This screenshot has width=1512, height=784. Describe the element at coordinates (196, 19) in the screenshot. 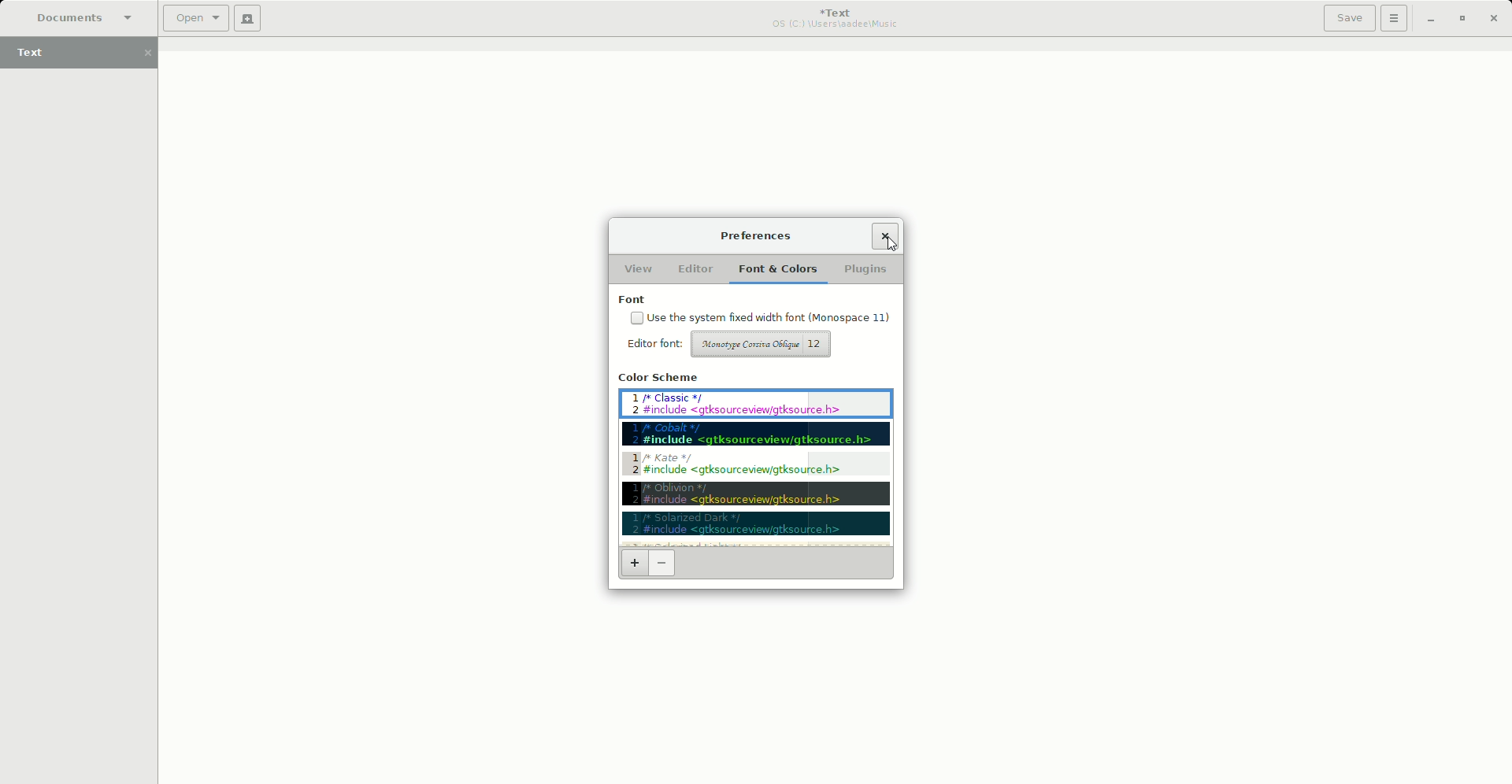

I see `Open` at that location.